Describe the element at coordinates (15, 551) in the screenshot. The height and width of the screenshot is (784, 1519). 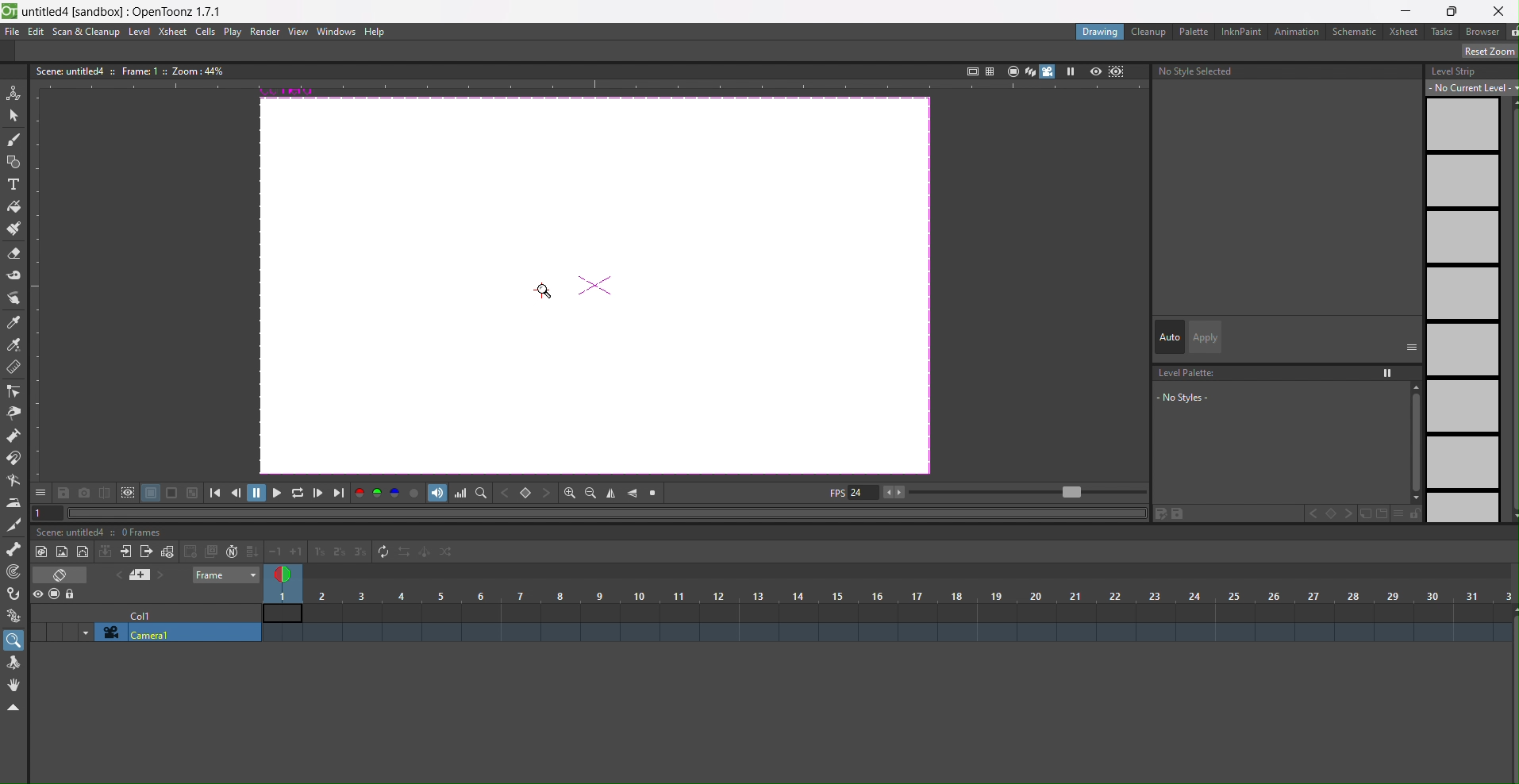
I see `skeleton tool` at that location.